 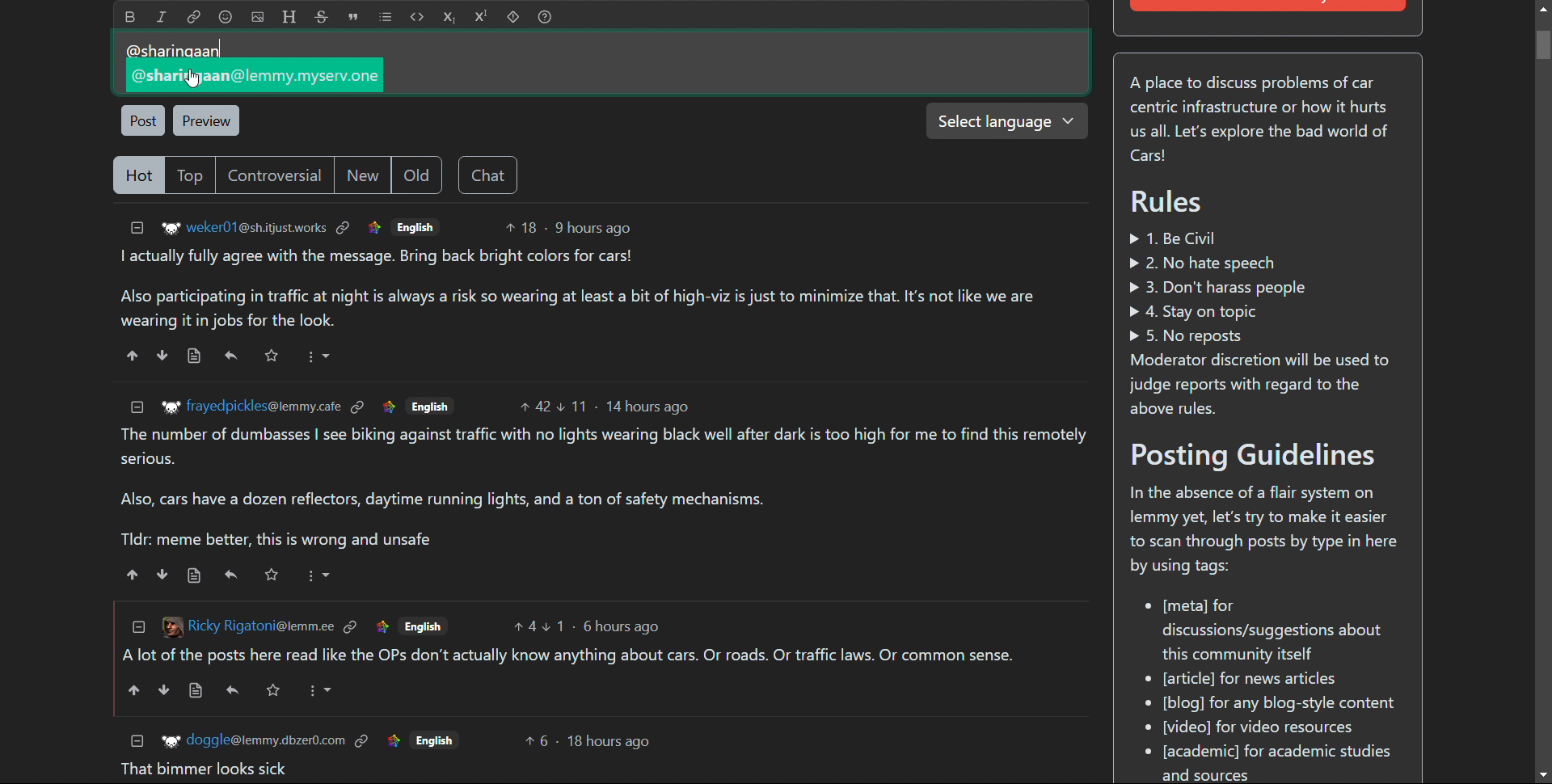 What do you see at coordinates (130, 17) in the screenshot?
I see `bold` at bounding box center [130, 17].